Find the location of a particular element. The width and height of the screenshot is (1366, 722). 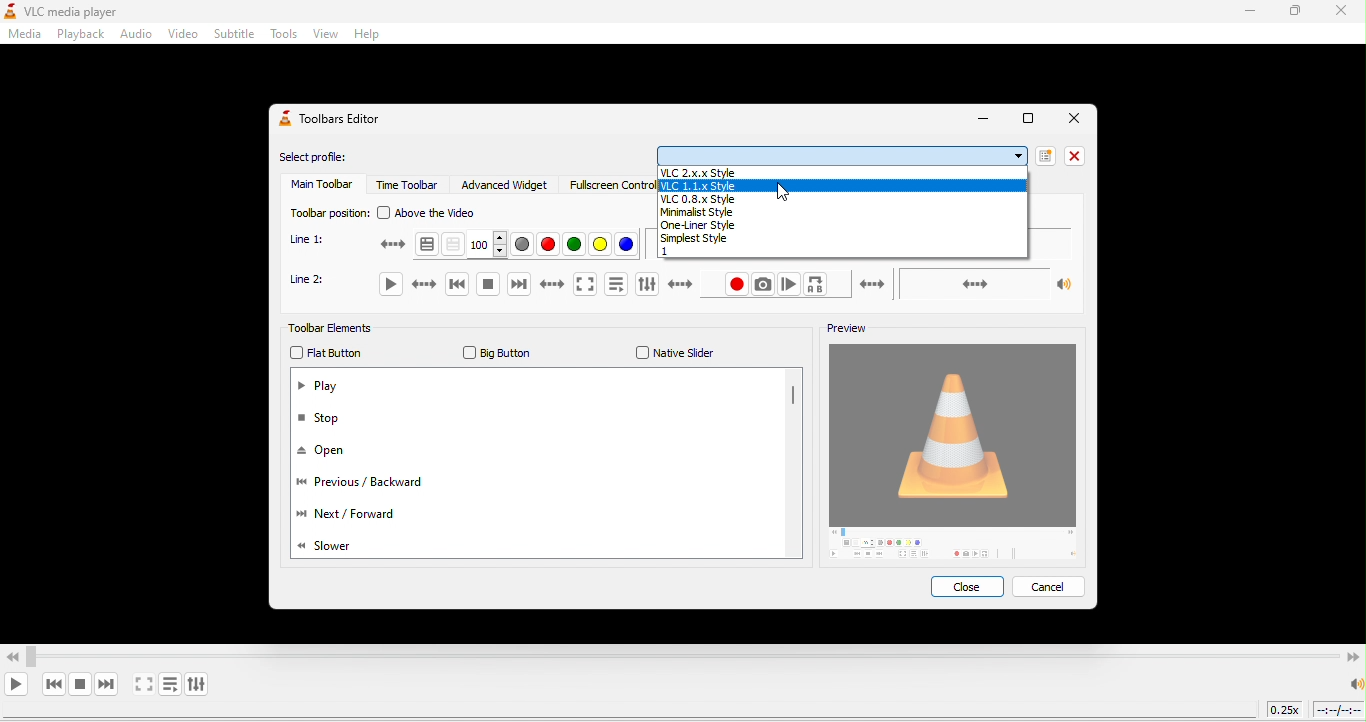

main toolbar is located at coordinates (320, 187).